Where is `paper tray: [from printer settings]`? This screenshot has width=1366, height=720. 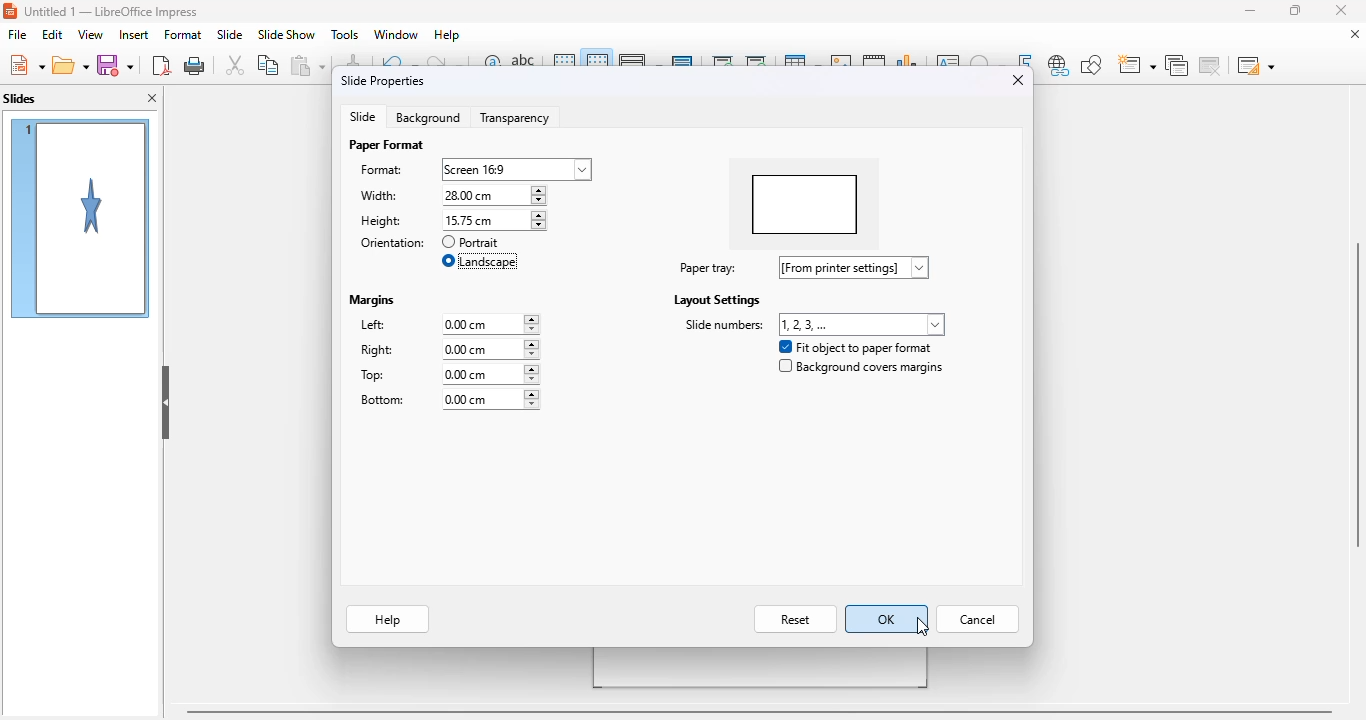 paper tray: [from printer settings] is located at coordinates (854, 267).